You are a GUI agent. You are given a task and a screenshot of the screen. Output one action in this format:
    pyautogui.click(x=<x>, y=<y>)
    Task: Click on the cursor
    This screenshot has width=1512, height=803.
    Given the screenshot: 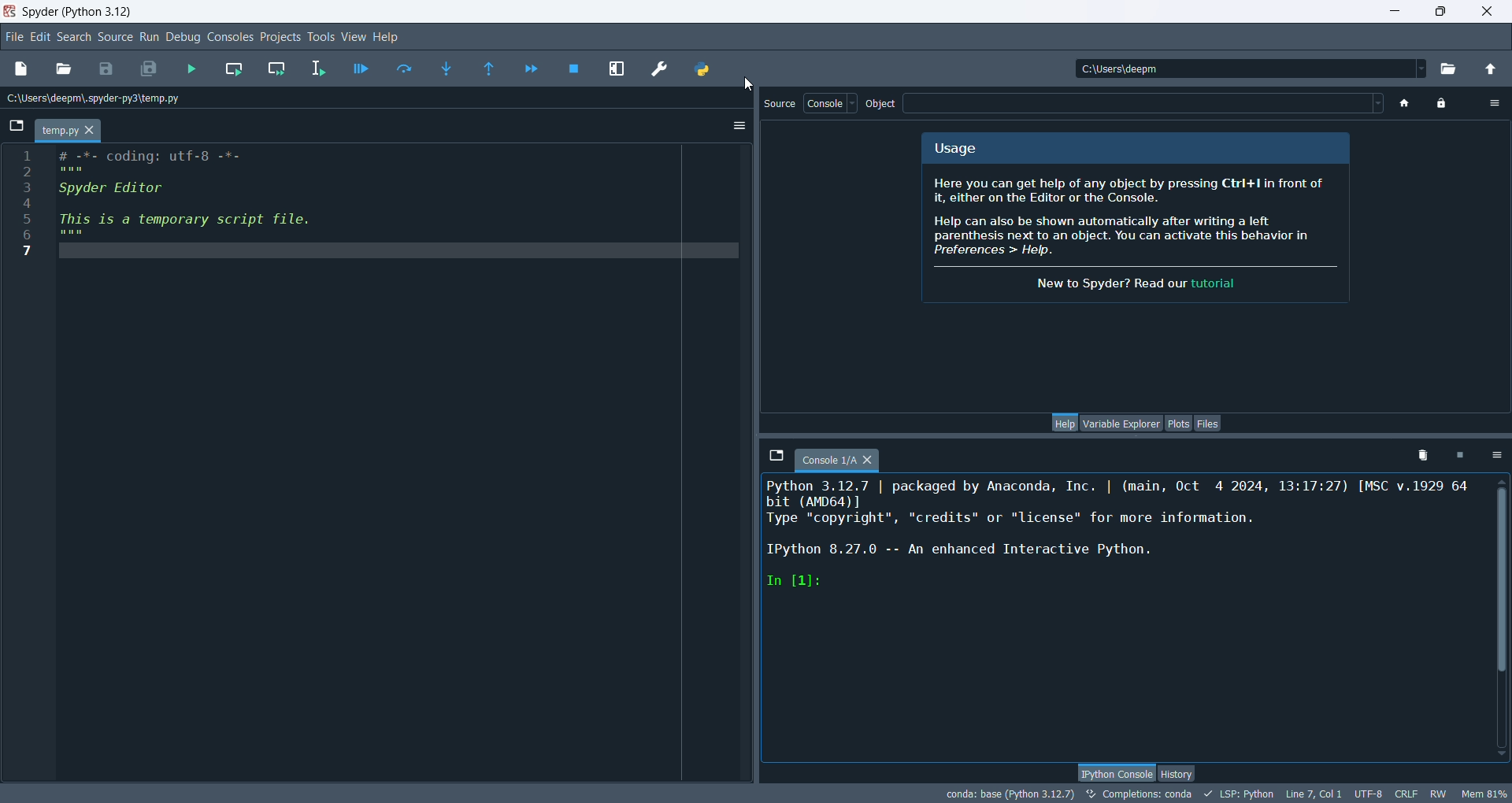 What is the action you would take?
    pyautogui.click(x=748, y=85)
    